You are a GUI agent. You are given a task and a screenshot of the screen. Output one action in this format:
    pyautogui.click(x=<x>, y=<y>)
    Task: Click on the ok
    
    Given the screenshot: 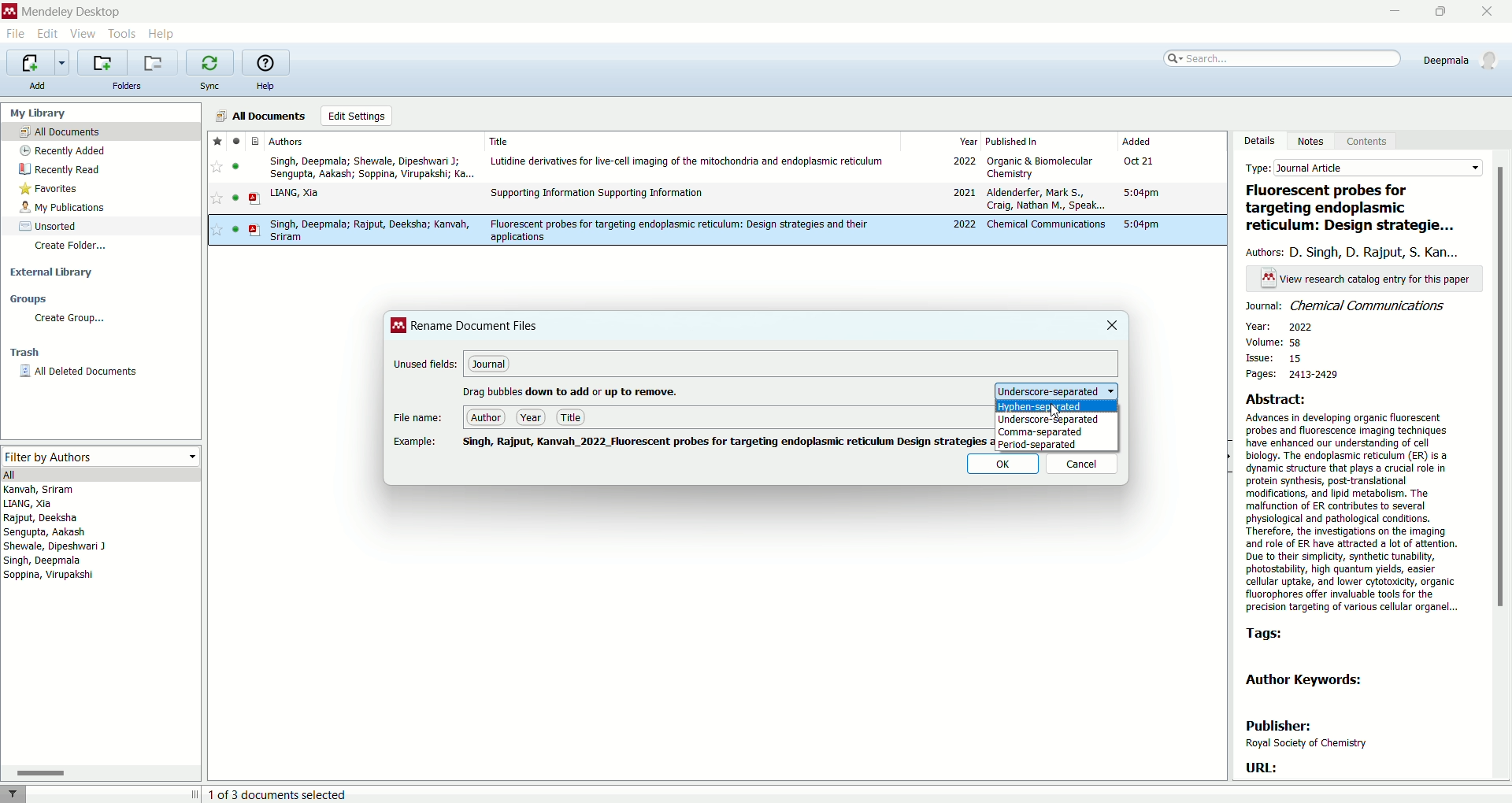 What is the action you would take?
    pyautogui.click(x=1000, y=464)
    